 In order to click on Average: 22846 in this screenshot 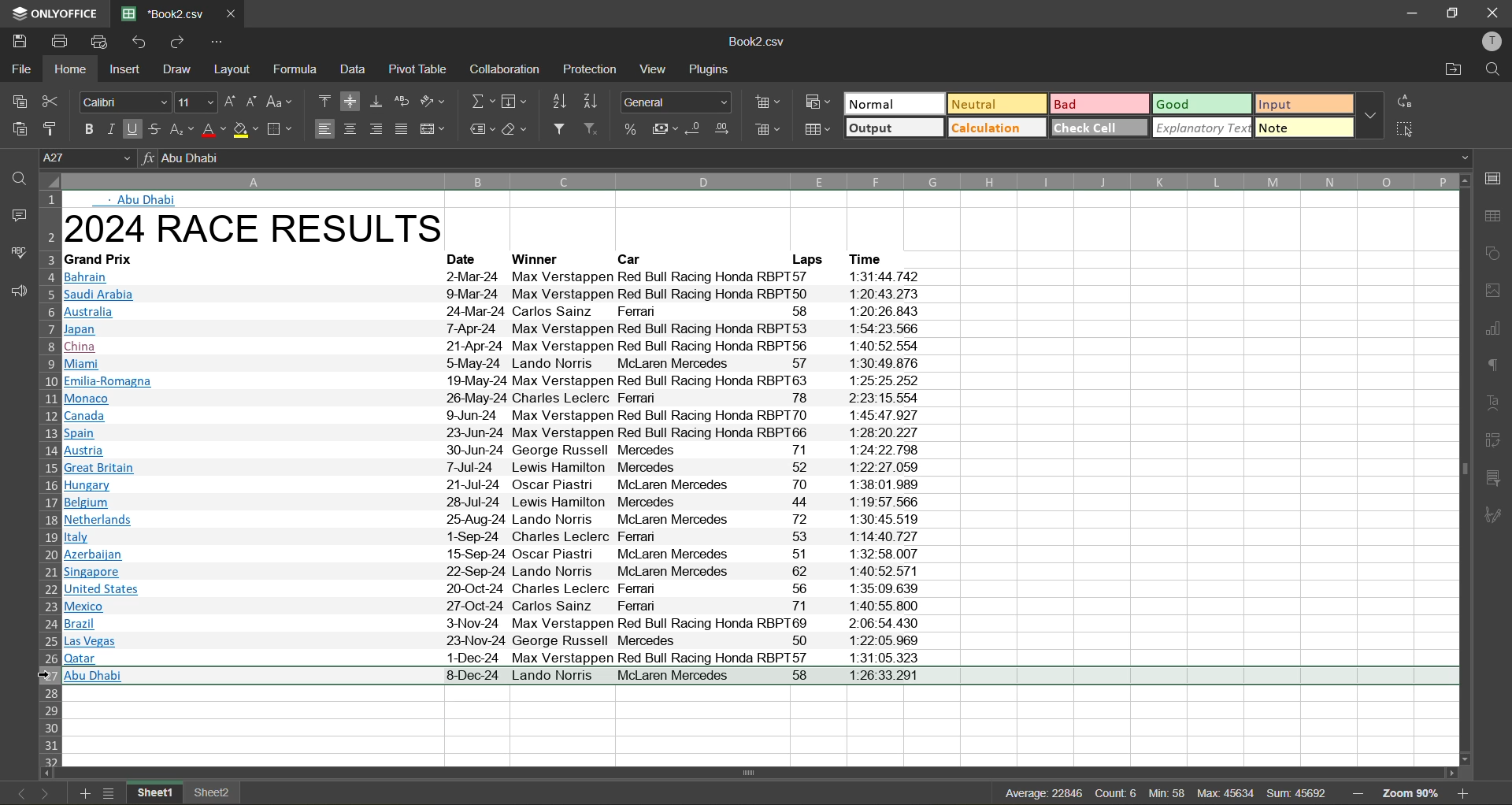, I will do `click(1002, 791)`.